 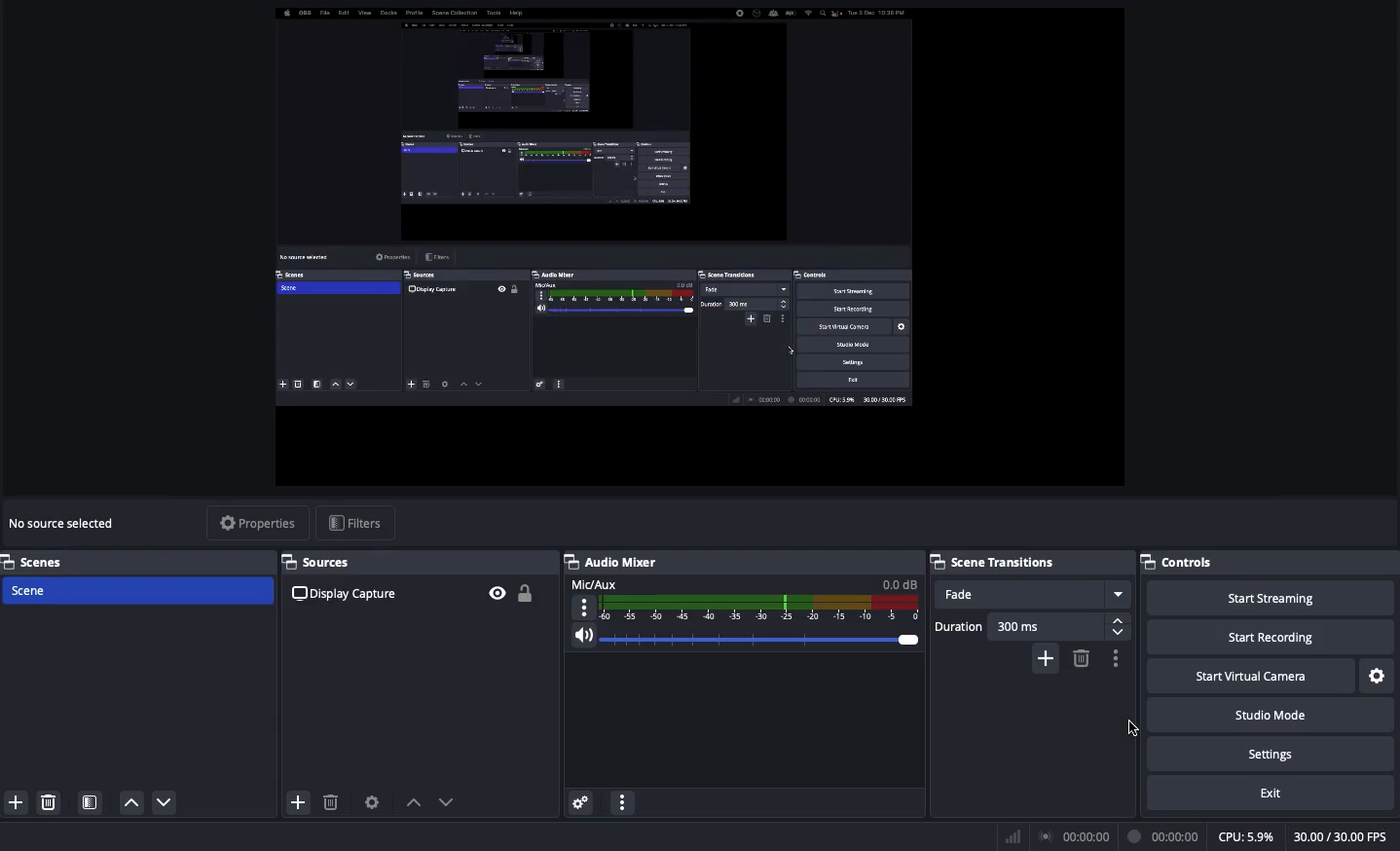 What do you see at coordinates (51, 801) in the screenshot?
I see `Delete` at bounding box center [51, 801].